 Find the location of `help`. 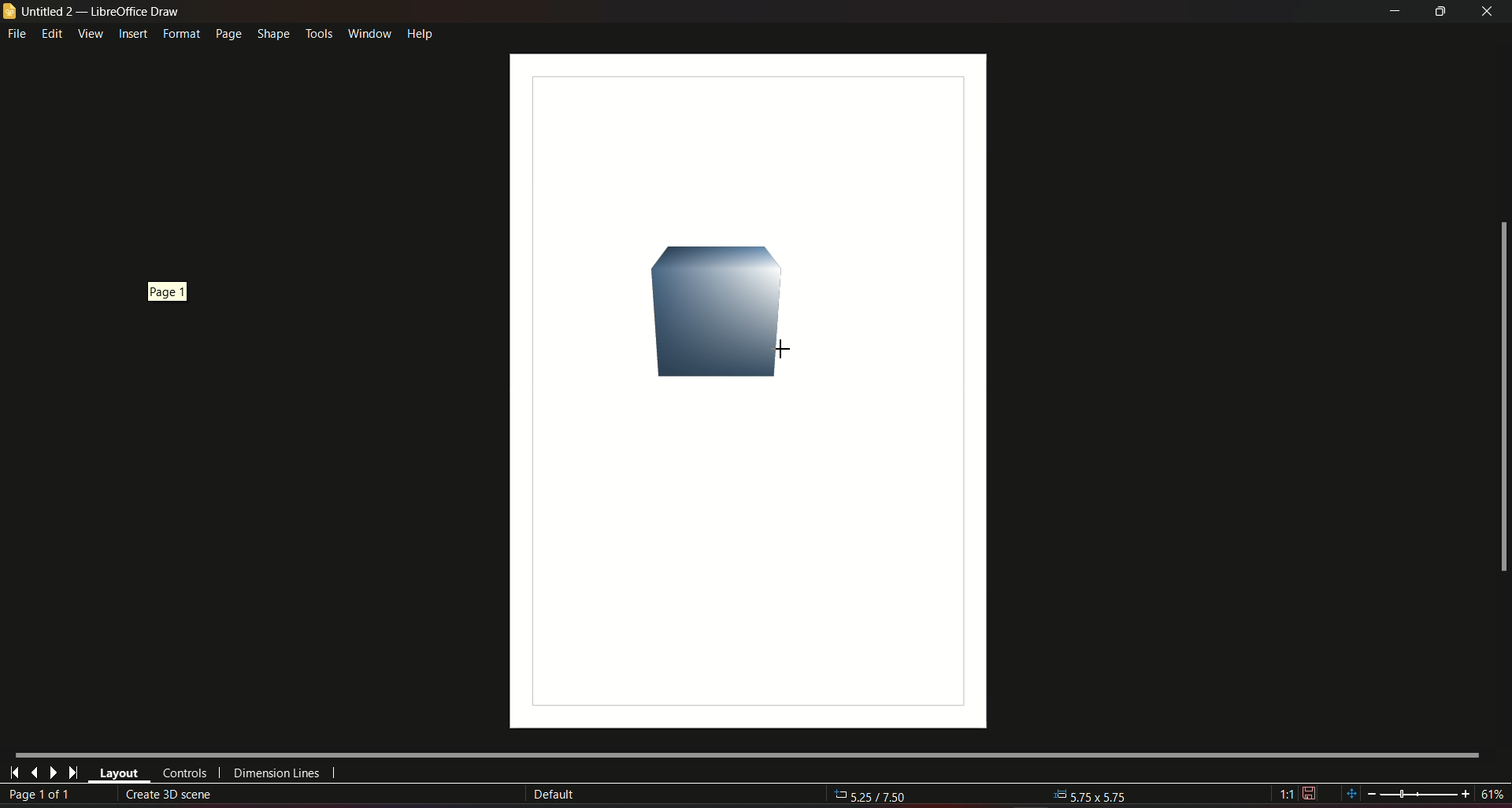

help is located at coordinates (421, 32).